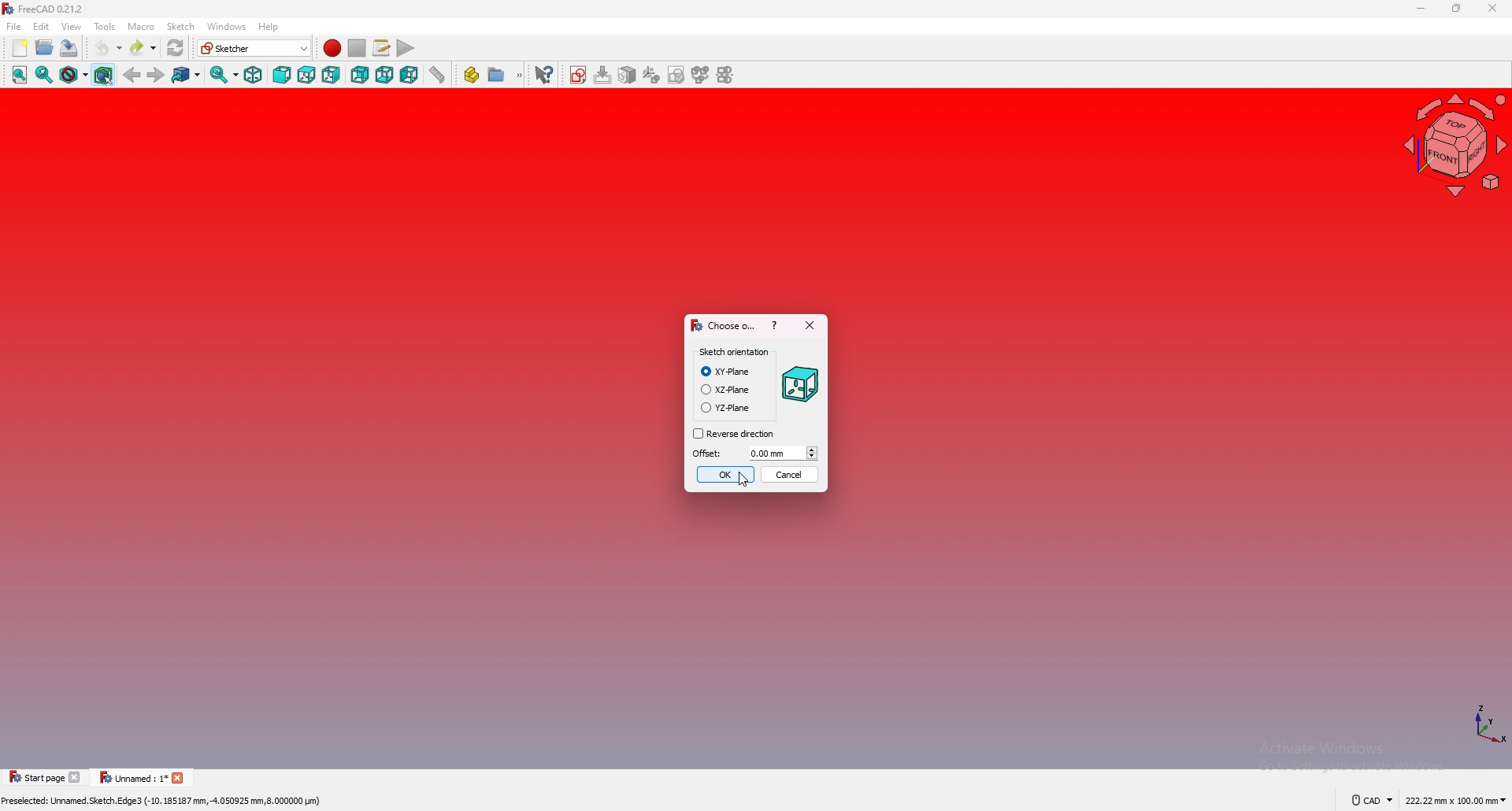 The image size is (1512, 811). What do you see at coordinates (1492, 8) in the screenshot?
I see `close` at bounding box center [1492, 8].